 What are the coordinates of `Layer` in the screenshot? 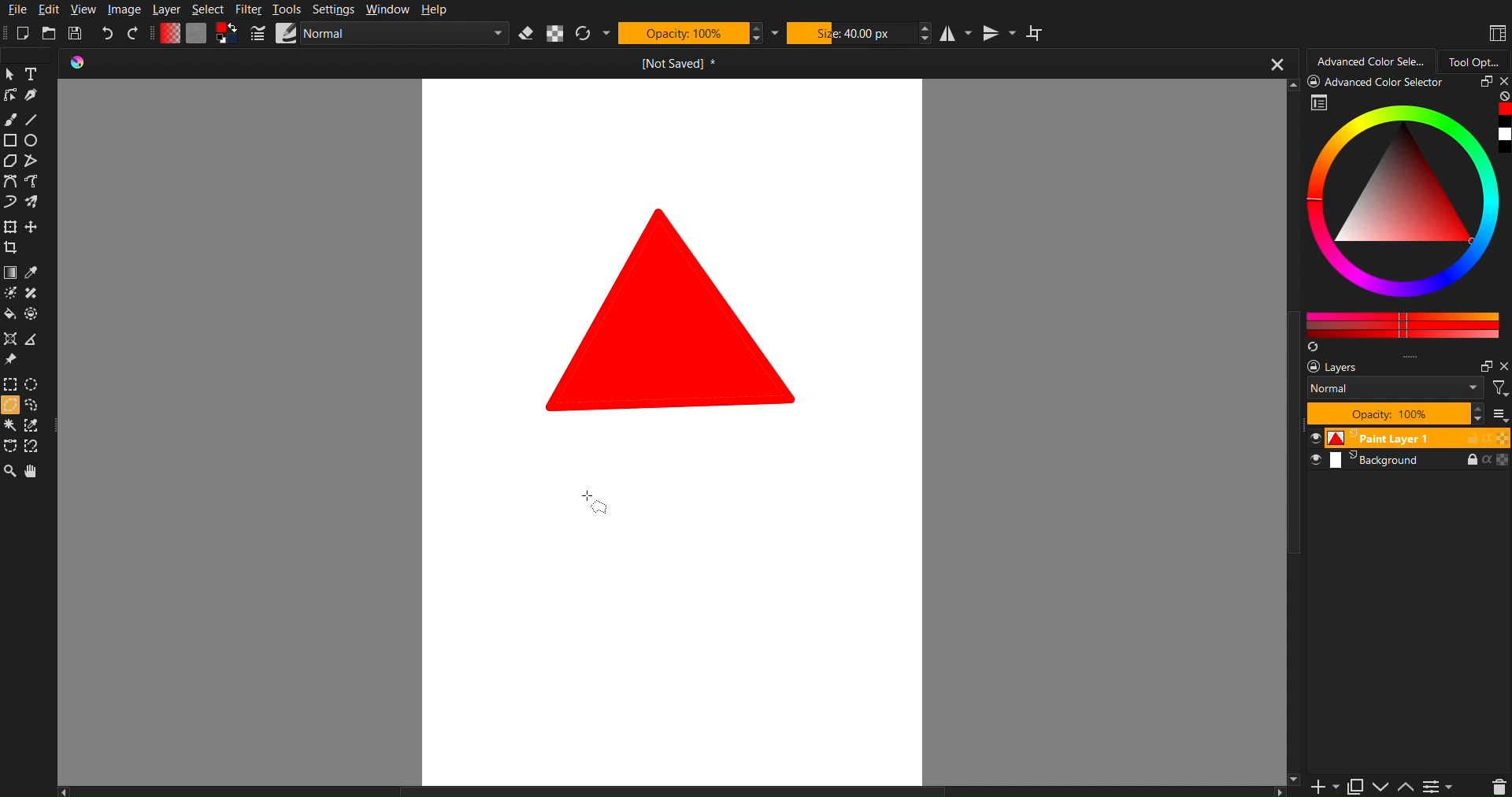 It's located at (165, 9).